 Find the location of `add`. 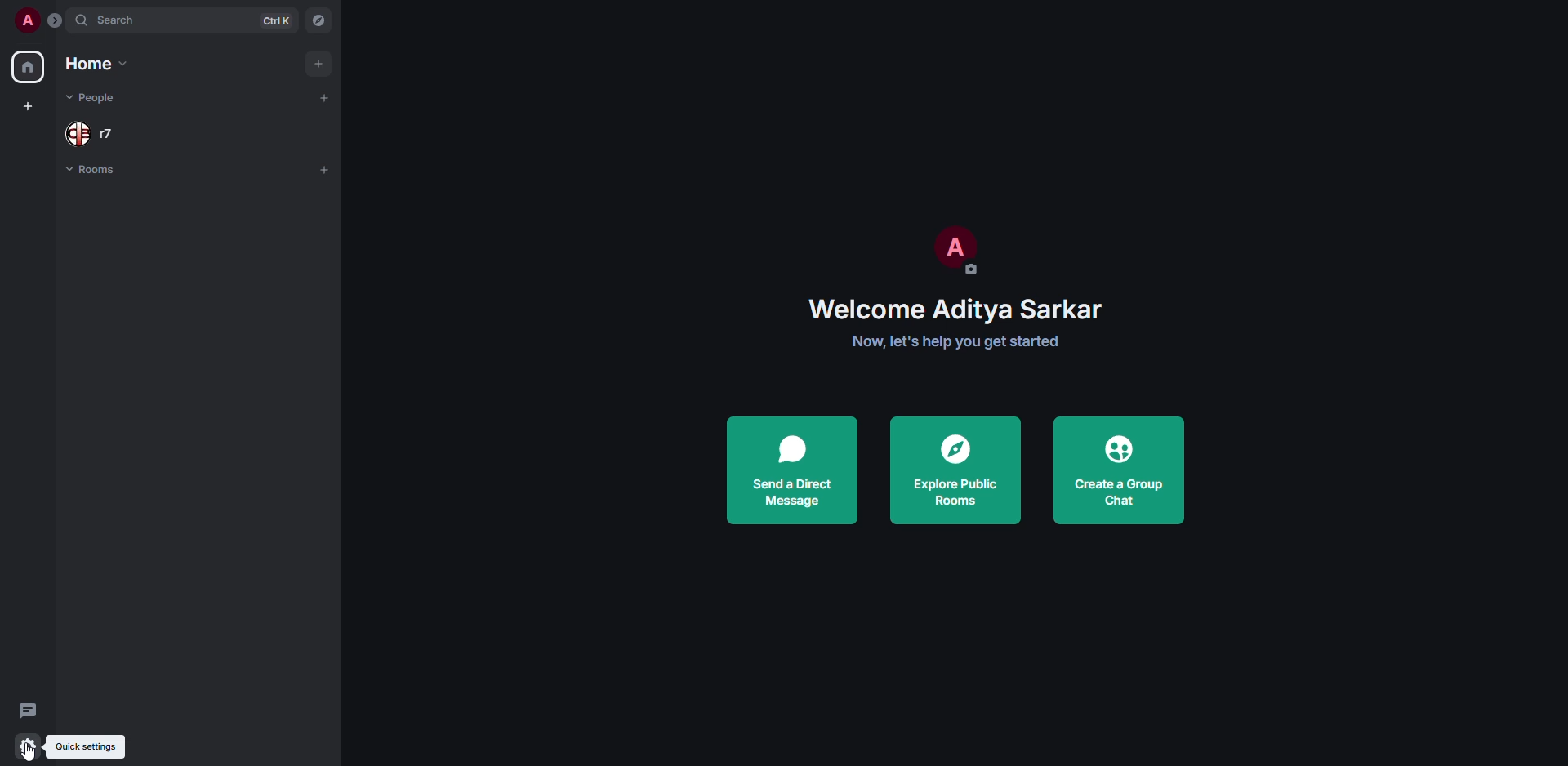

add is located at coordinates (316, 62).